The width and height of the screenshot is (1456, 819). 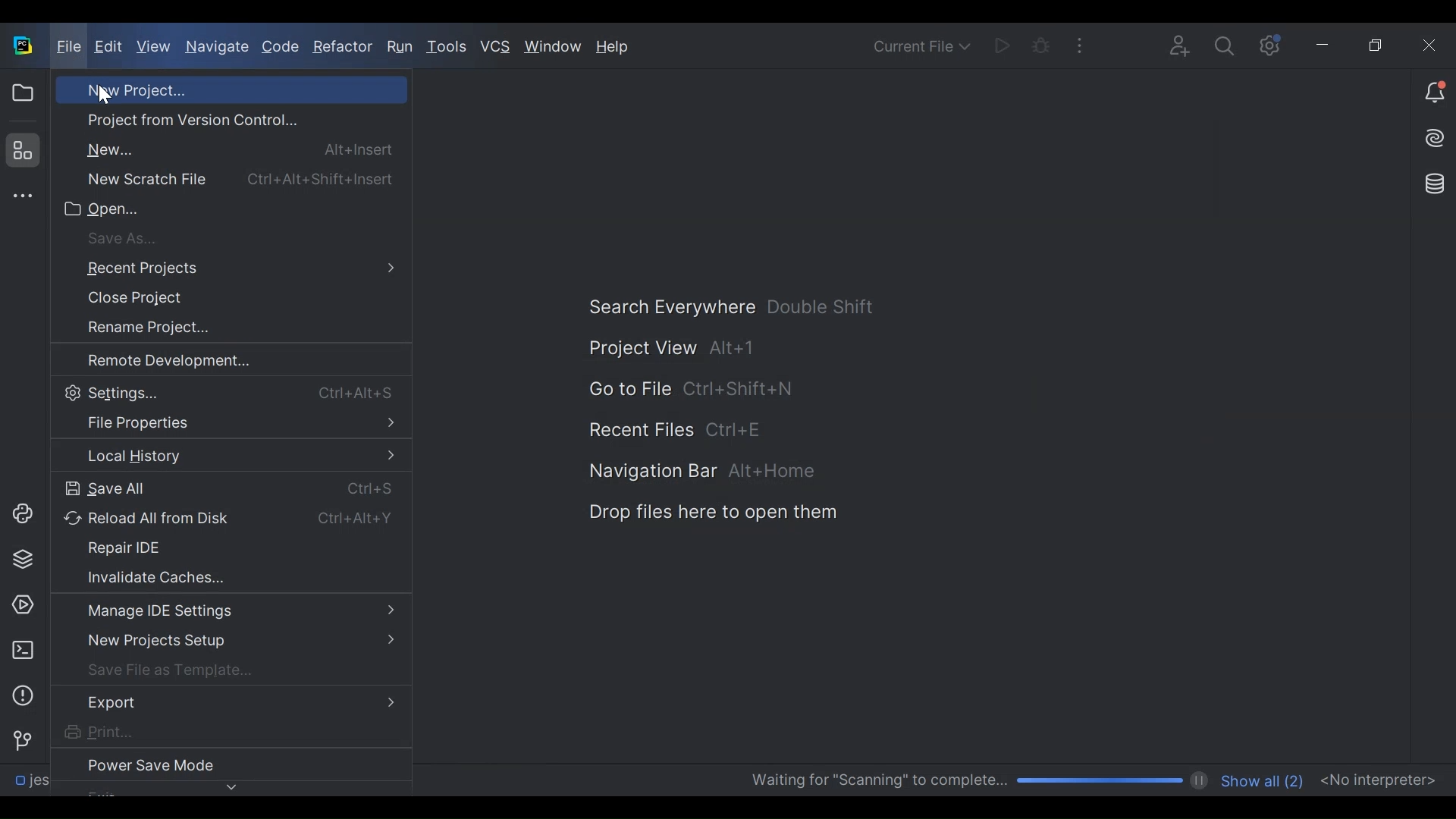 I want to click on View, so click(x=155, y=47).